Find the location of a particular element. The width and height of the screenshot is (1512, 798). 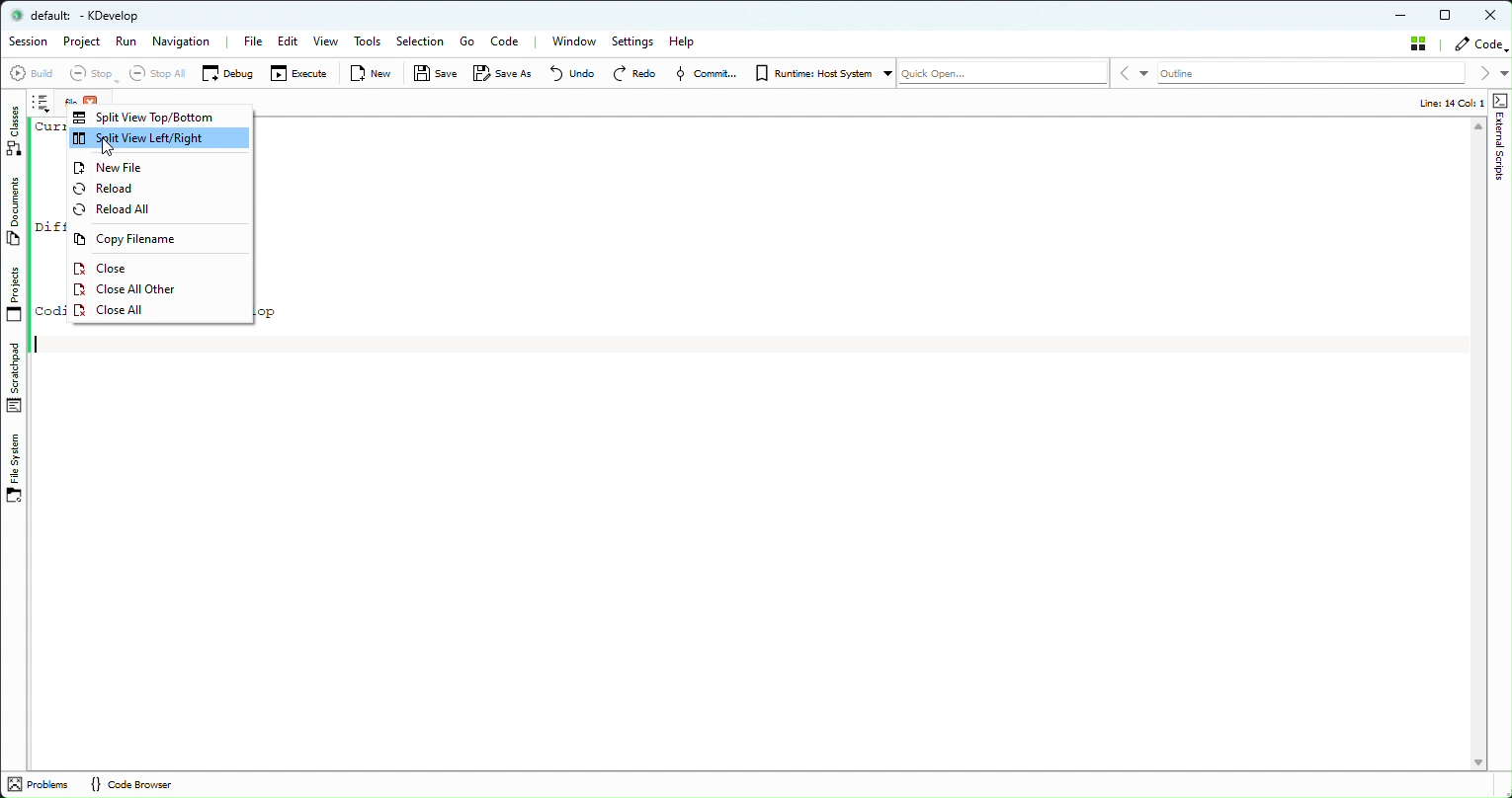

Projects is located at coordinates (19, 294).